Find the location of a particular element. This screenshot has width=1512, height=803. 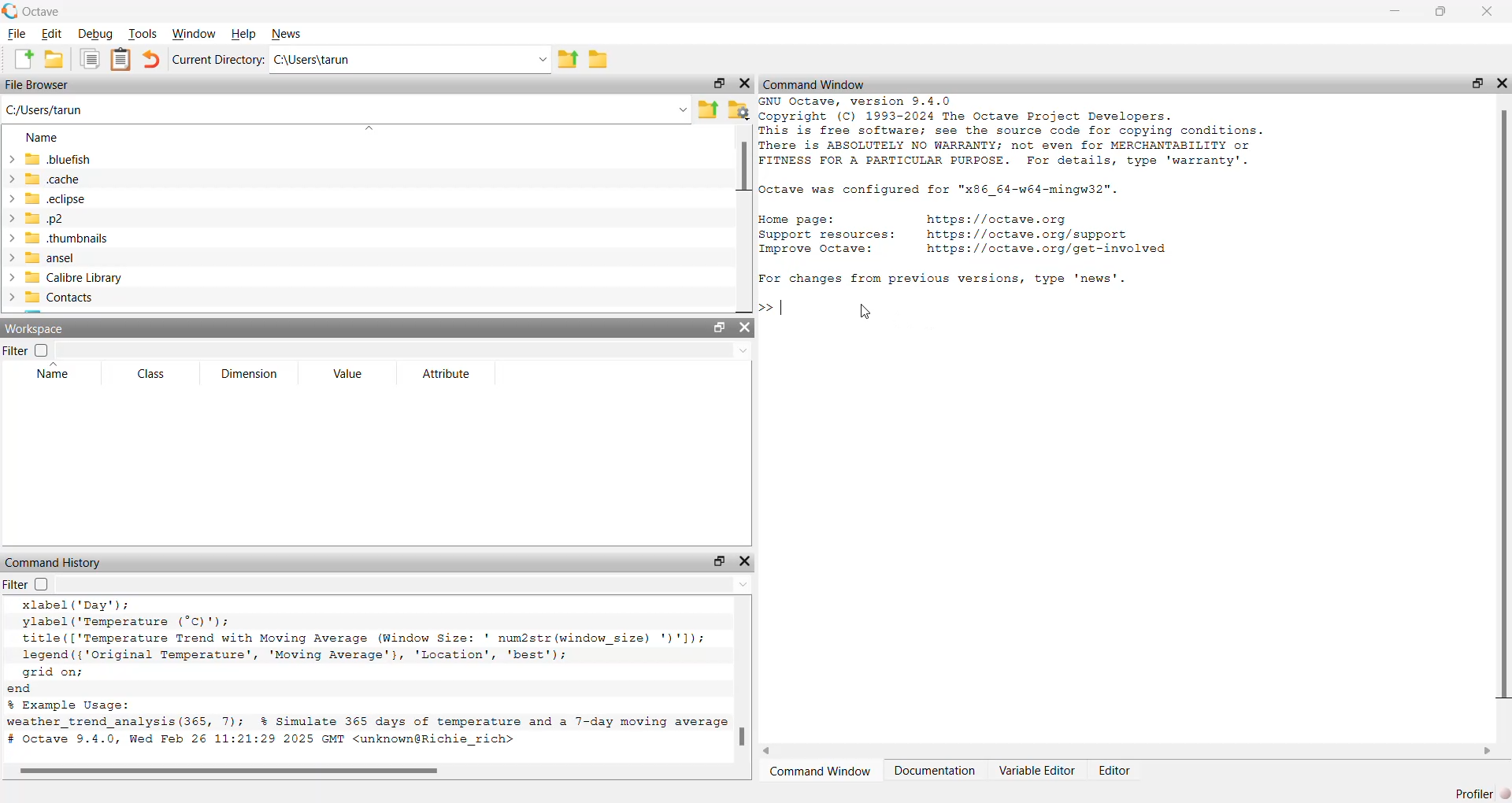

Editor is located at coordinates (1115, 770).